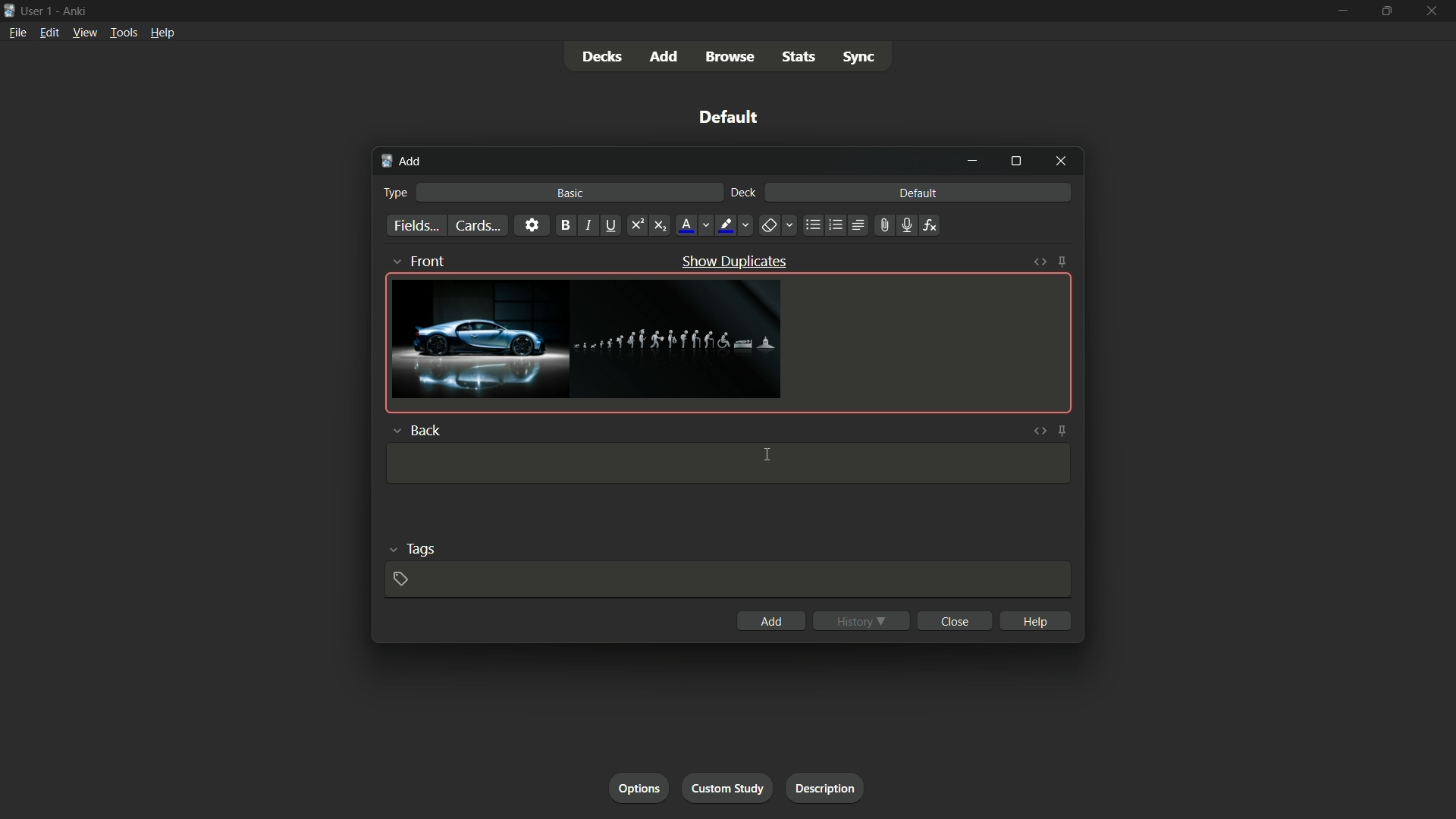 Image resolution: width=1456 pixels, height=819 pixels. I want to click on app icon, so click(9, 11).